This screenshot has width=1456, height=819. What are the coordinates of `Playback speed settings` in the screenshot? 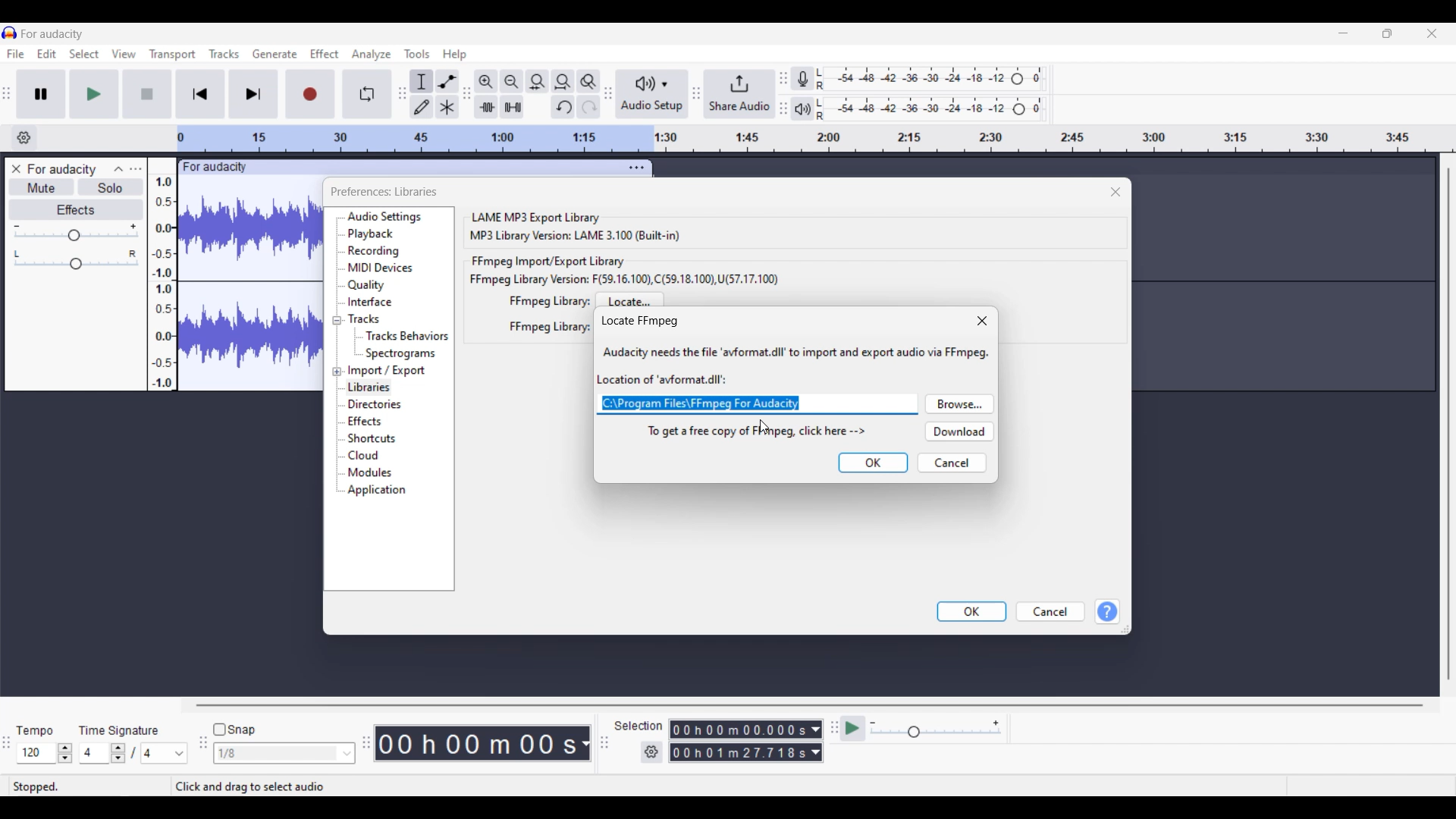 It's located at (937, 728).